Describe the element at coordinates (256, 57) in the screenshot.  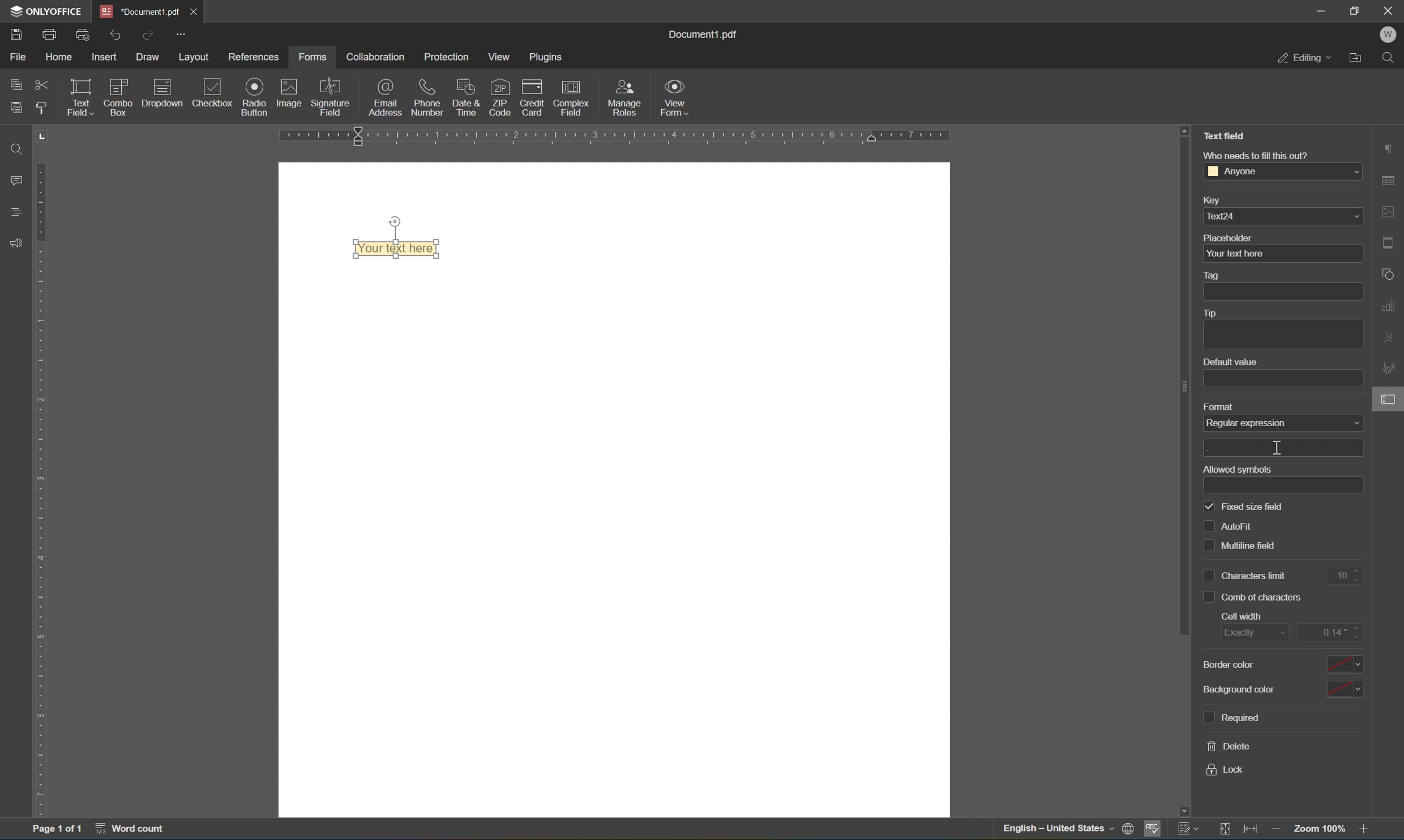
I see `references` at that location.